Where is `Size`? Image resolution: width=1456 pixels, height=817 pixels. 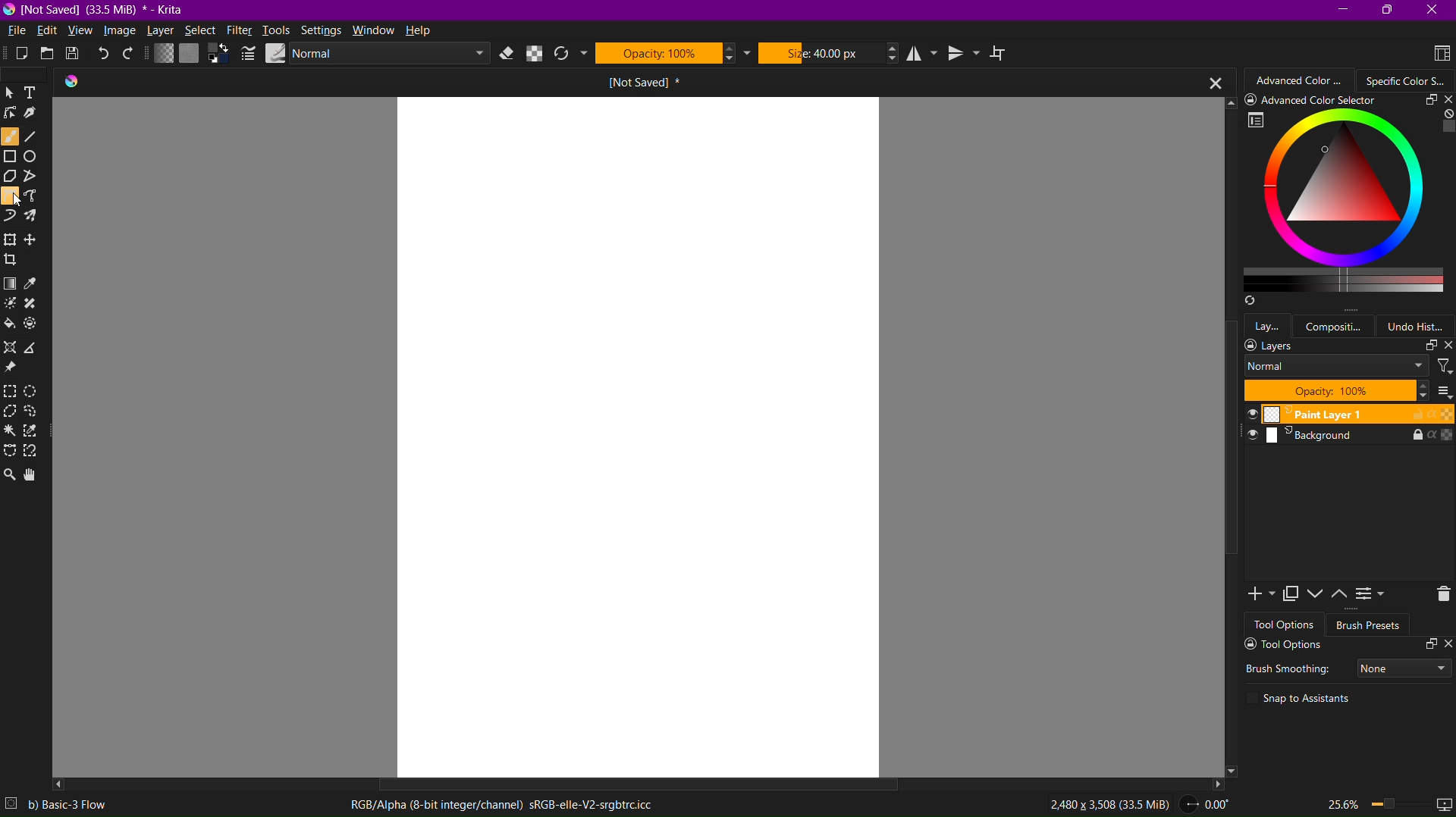 Size is located at coordinates (829, 52).